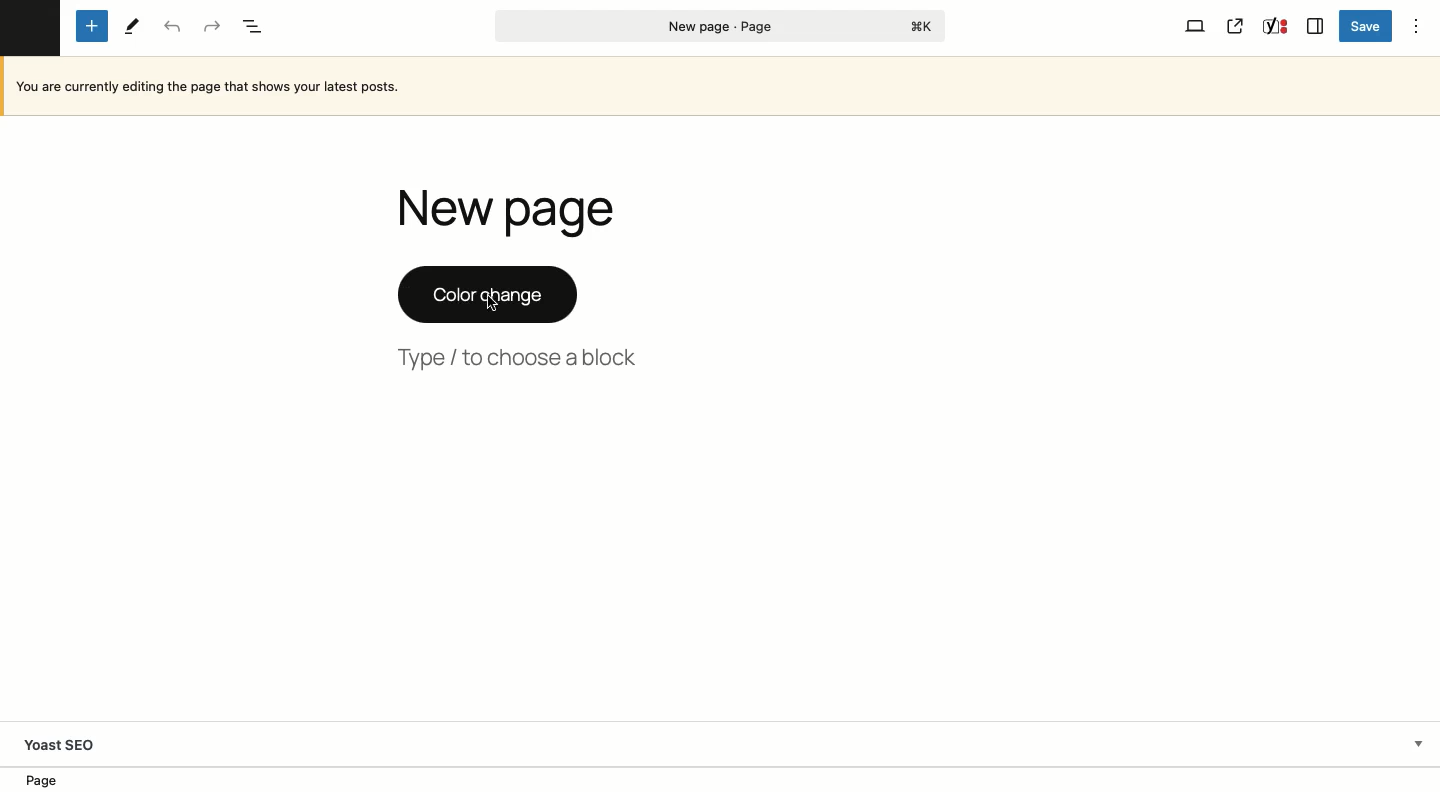 Image resolution: width=1440 pixels, height=792 pixels. Describe the element at coordinates (1195, 26) in the screenshot. I see `View` at that location.